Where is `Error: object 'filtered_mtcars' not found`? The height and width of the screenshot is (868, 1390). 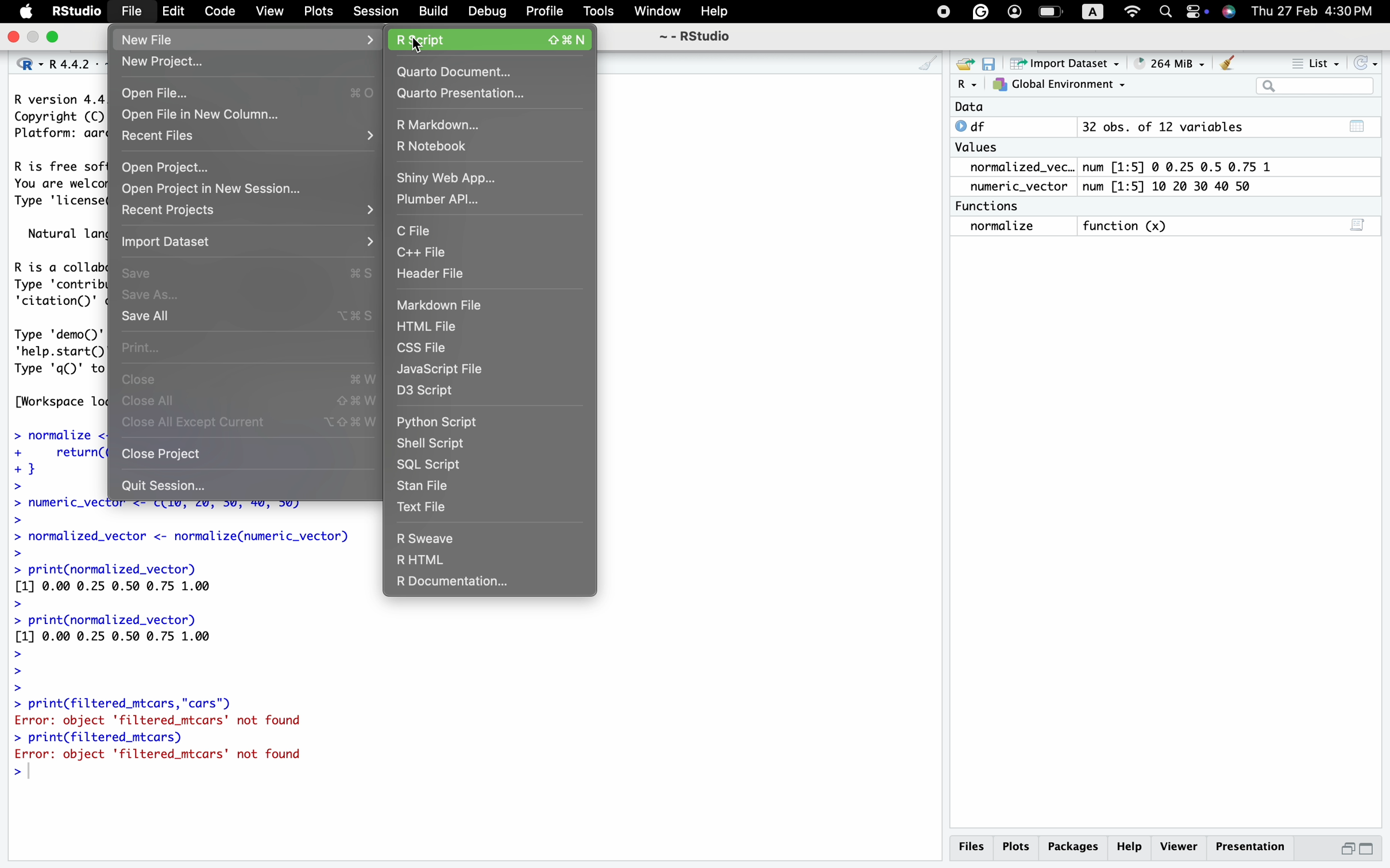
Error: object 'filtered_mtcars' not found is located at coordinates (173, 721).